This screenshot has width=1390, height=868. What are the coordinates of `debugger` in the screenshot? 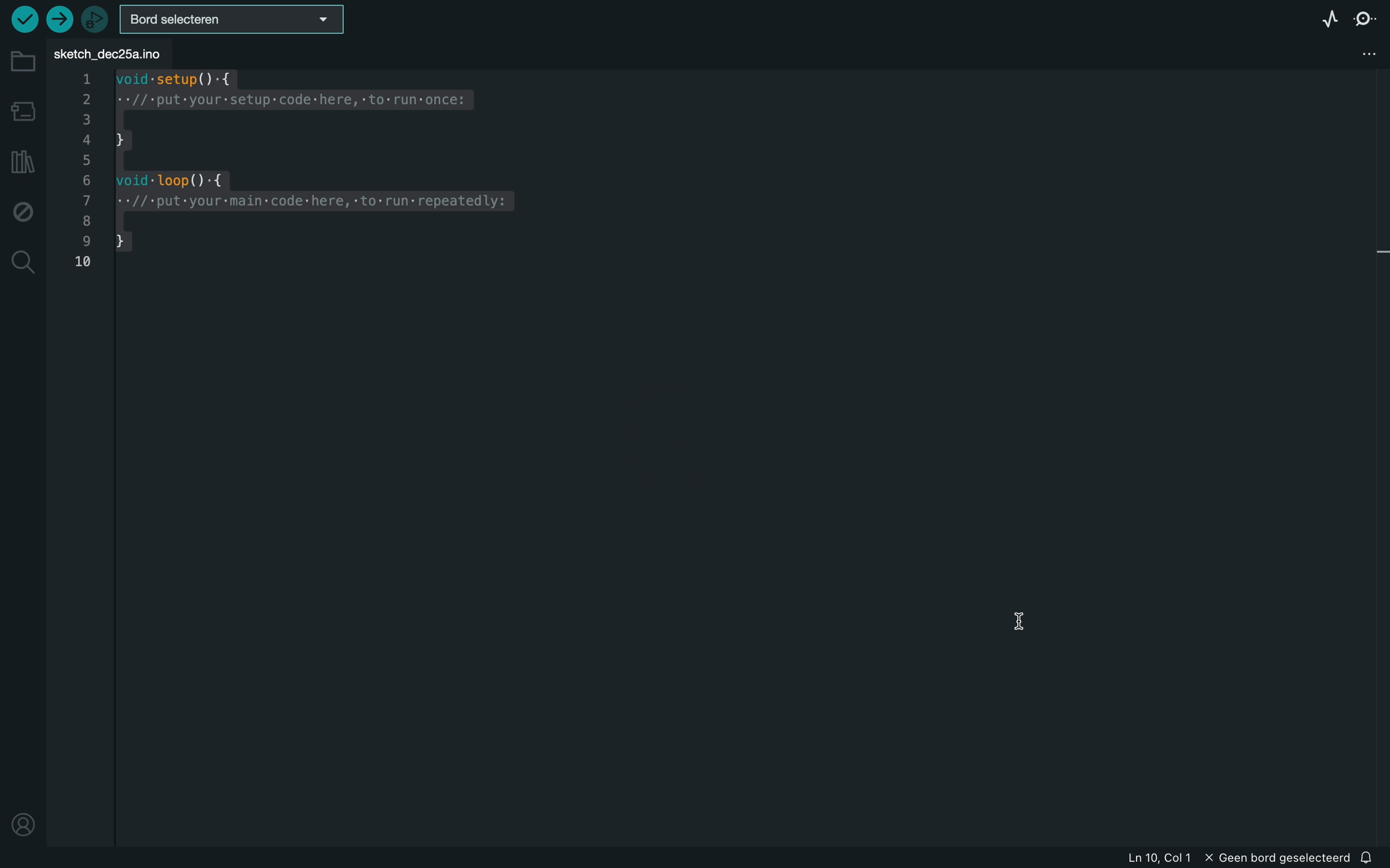 It's located at (95, 19).